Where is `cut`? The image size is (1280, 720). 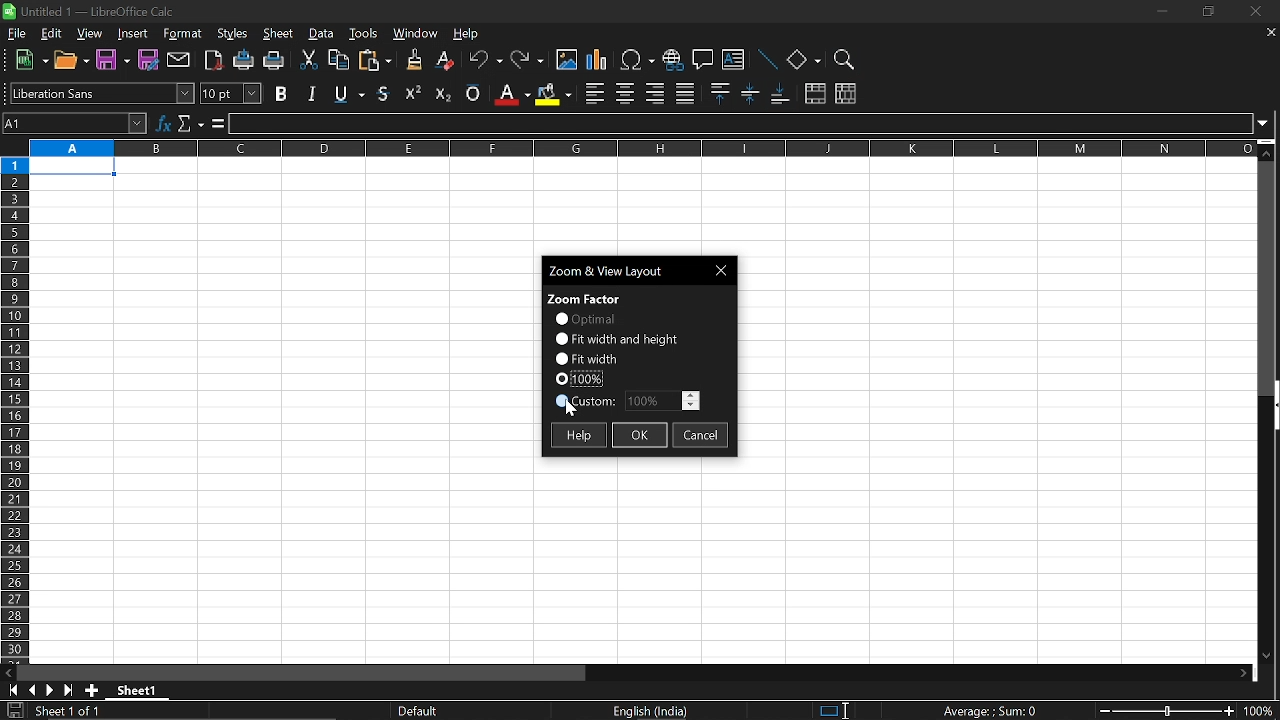 cut is located at coordinates (307, 61).